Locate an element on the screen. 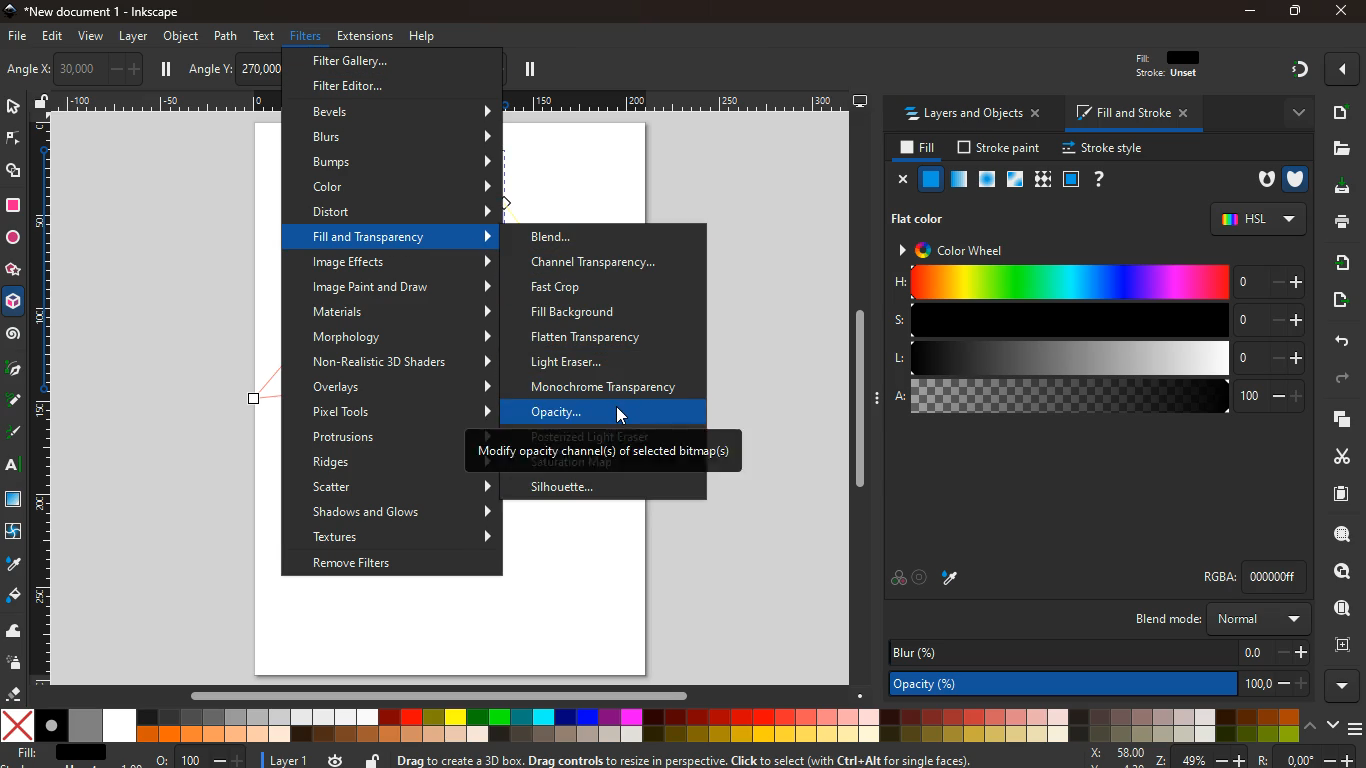  o is located at coordinates (196, 758).